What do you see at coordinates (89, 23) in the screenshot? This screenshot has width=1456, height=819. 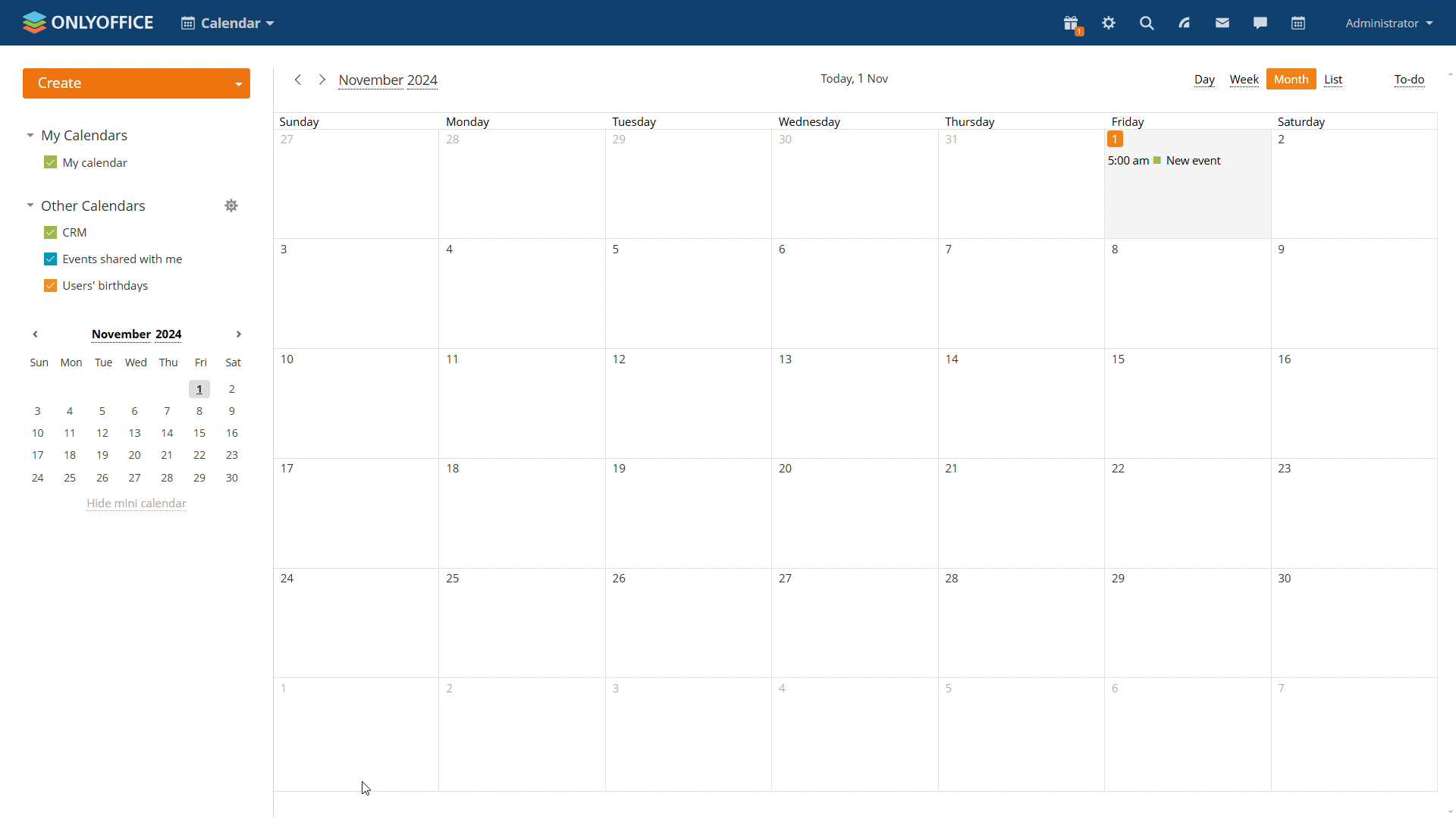 I see `logo` at bounding box center [89, 23].